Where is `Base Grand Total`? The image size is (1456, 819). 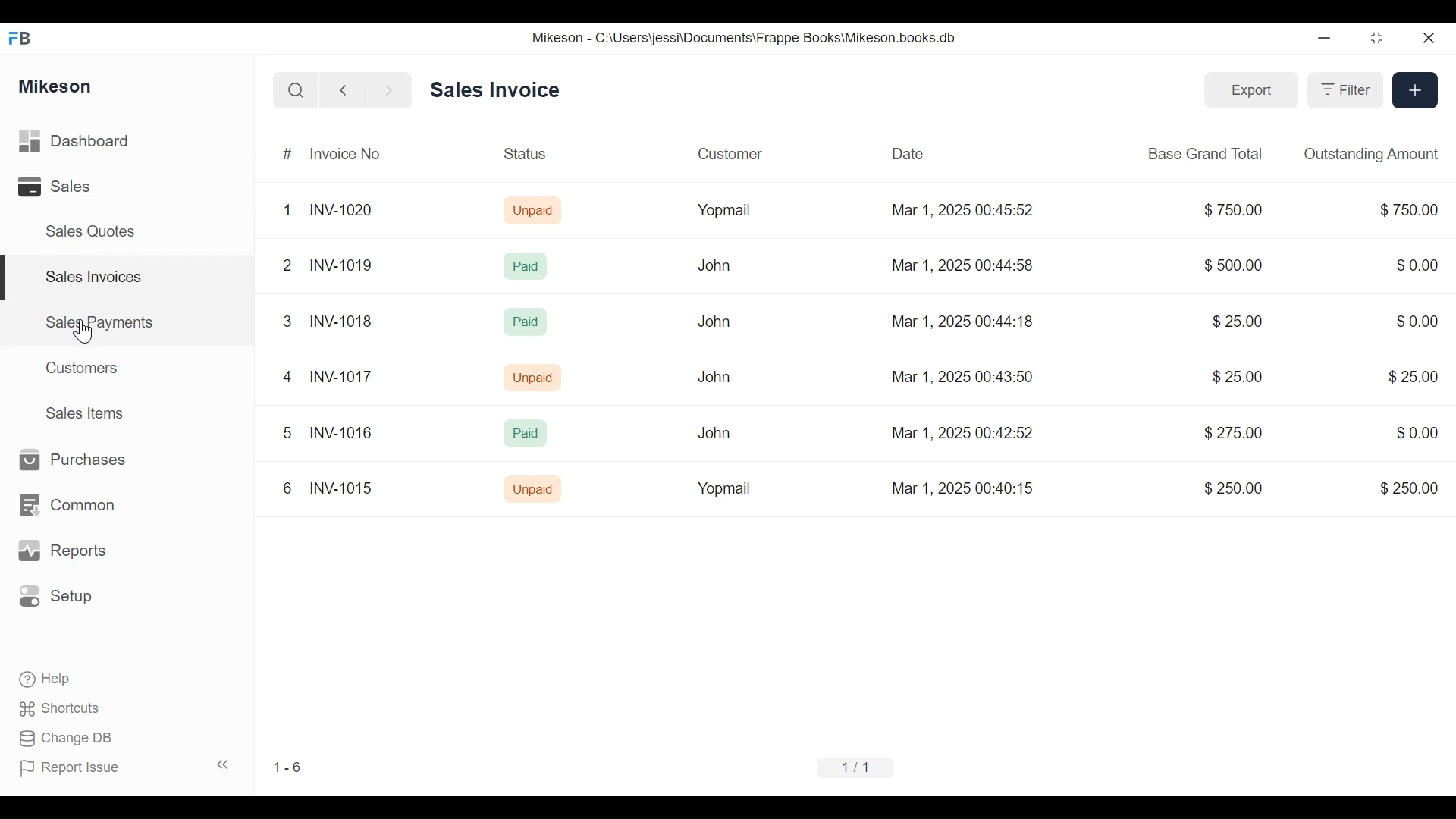 Base Grand Total is located at coordinates (1201, 155).